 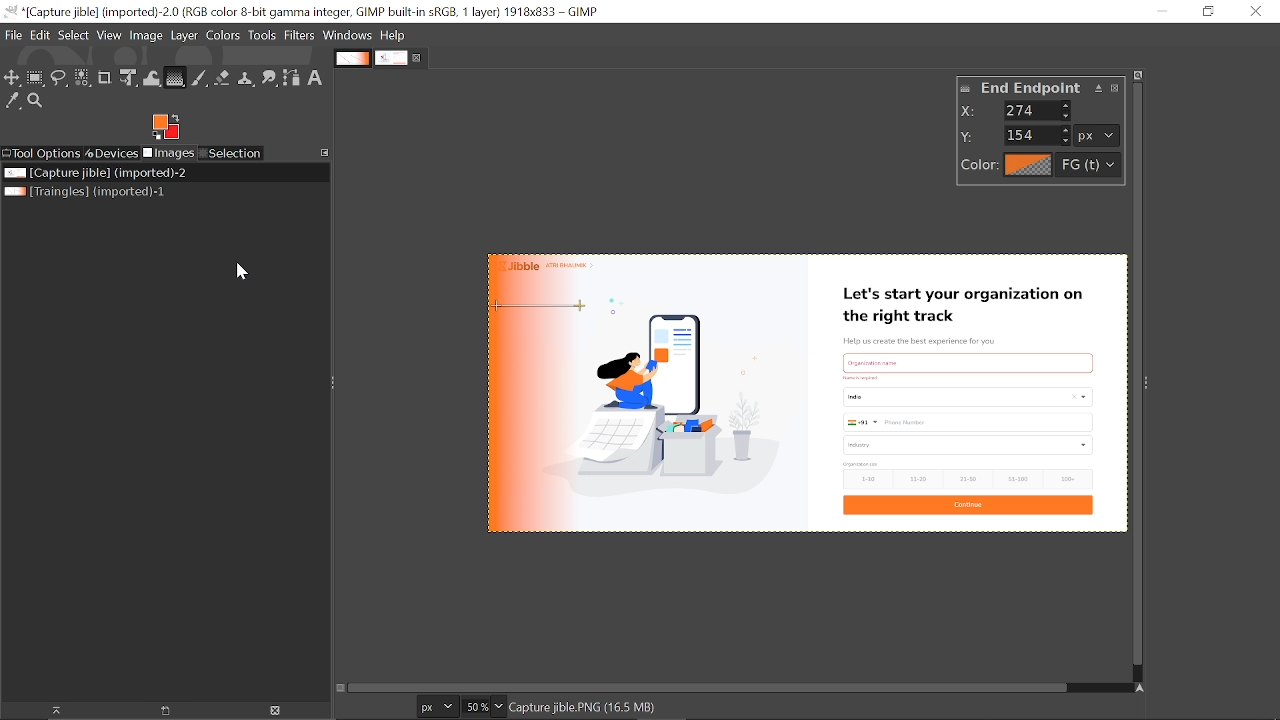 What do you see at coordinates (325, 153) in the screenshot?
I see `Configure this tab` at bounding box center [325, 153].